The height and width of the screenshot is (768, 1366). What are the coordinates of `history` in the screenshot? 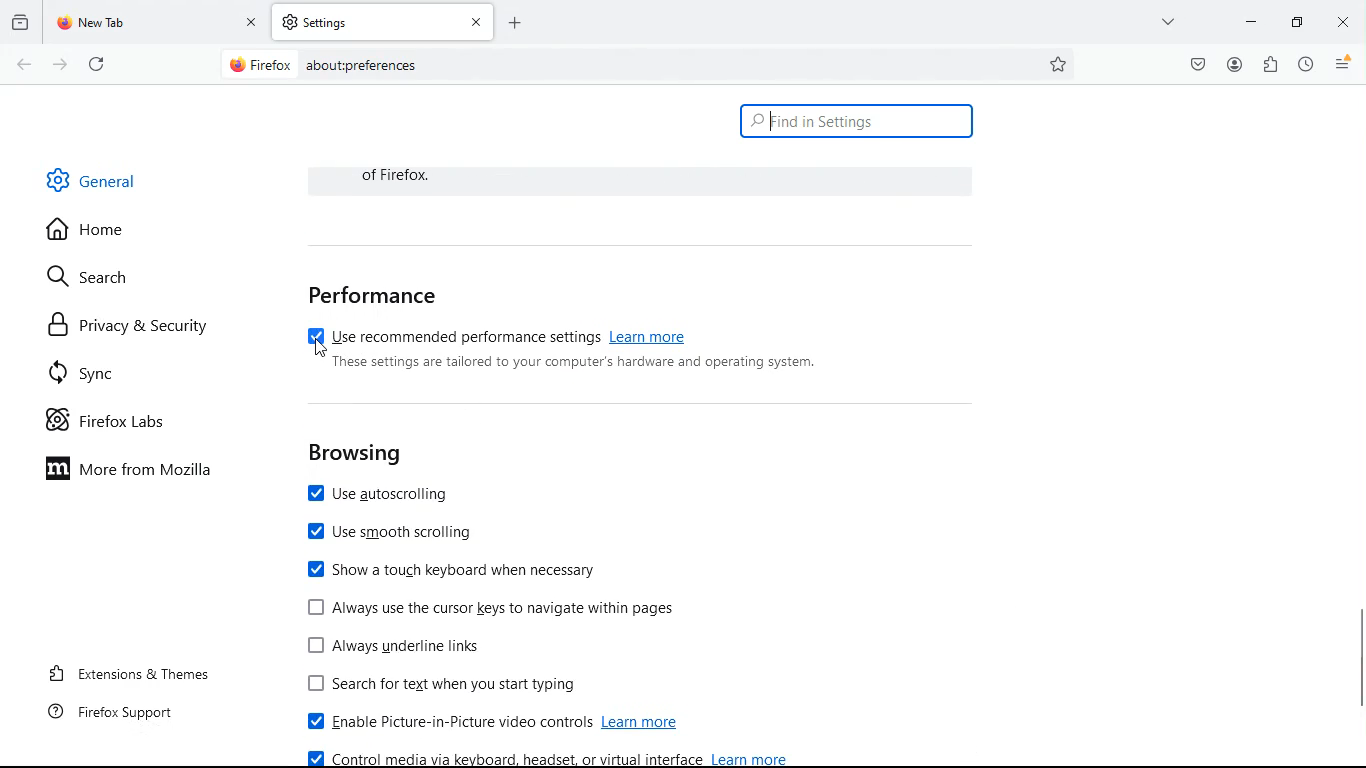 It's located at (20, 23).